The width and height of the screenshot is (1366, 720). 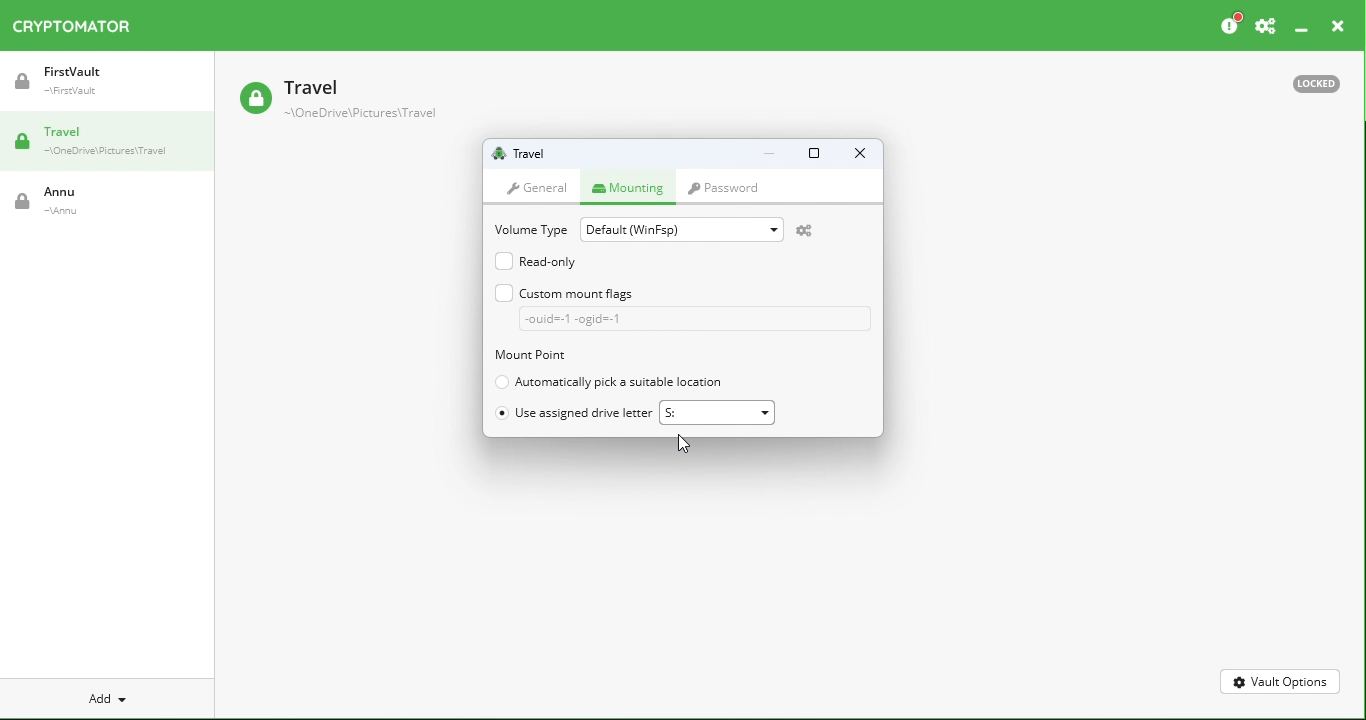 What do you see at coordinates (729, 188) in the screenshot?
I see `Password` at bounding box center [729, 188].